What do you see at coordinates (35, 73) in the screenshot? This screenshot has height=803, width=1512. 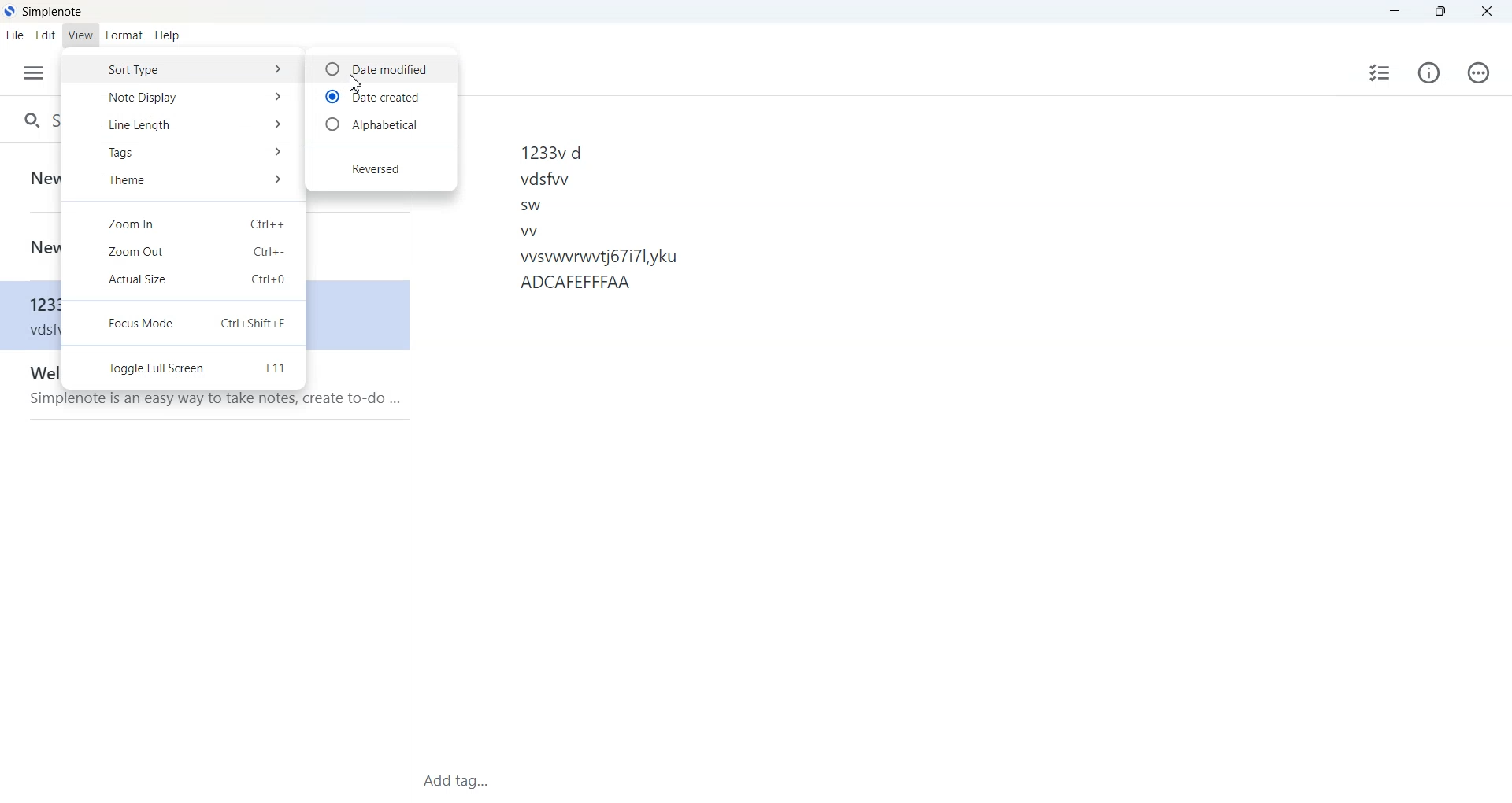 I see `Menu` at bounding box center [35, 73].